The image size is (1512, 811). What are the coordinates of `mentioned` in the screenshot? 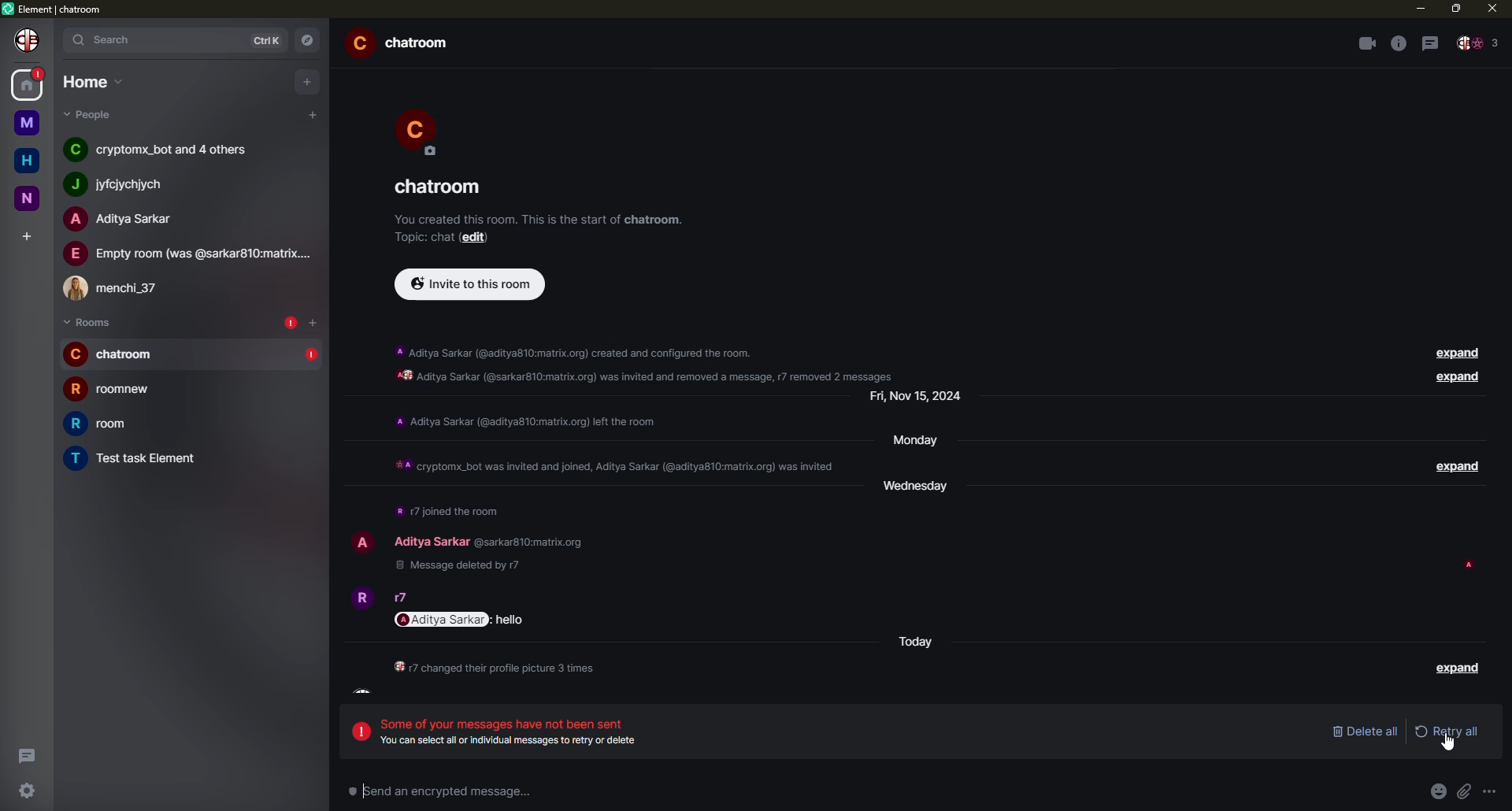 It's located at (463, 619).